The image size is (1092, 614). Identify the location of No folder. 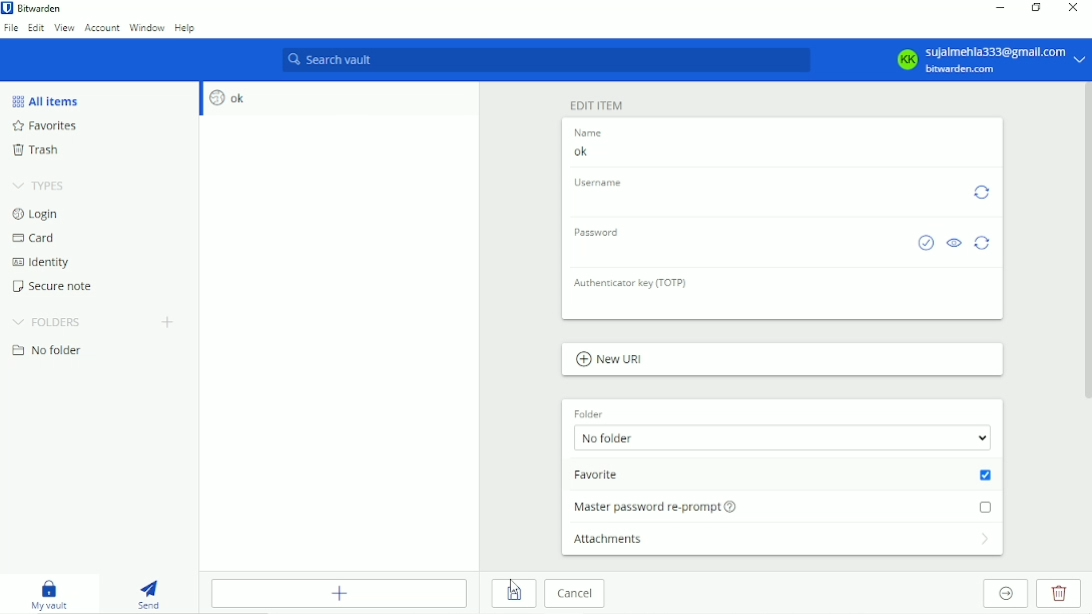
(53, 351).